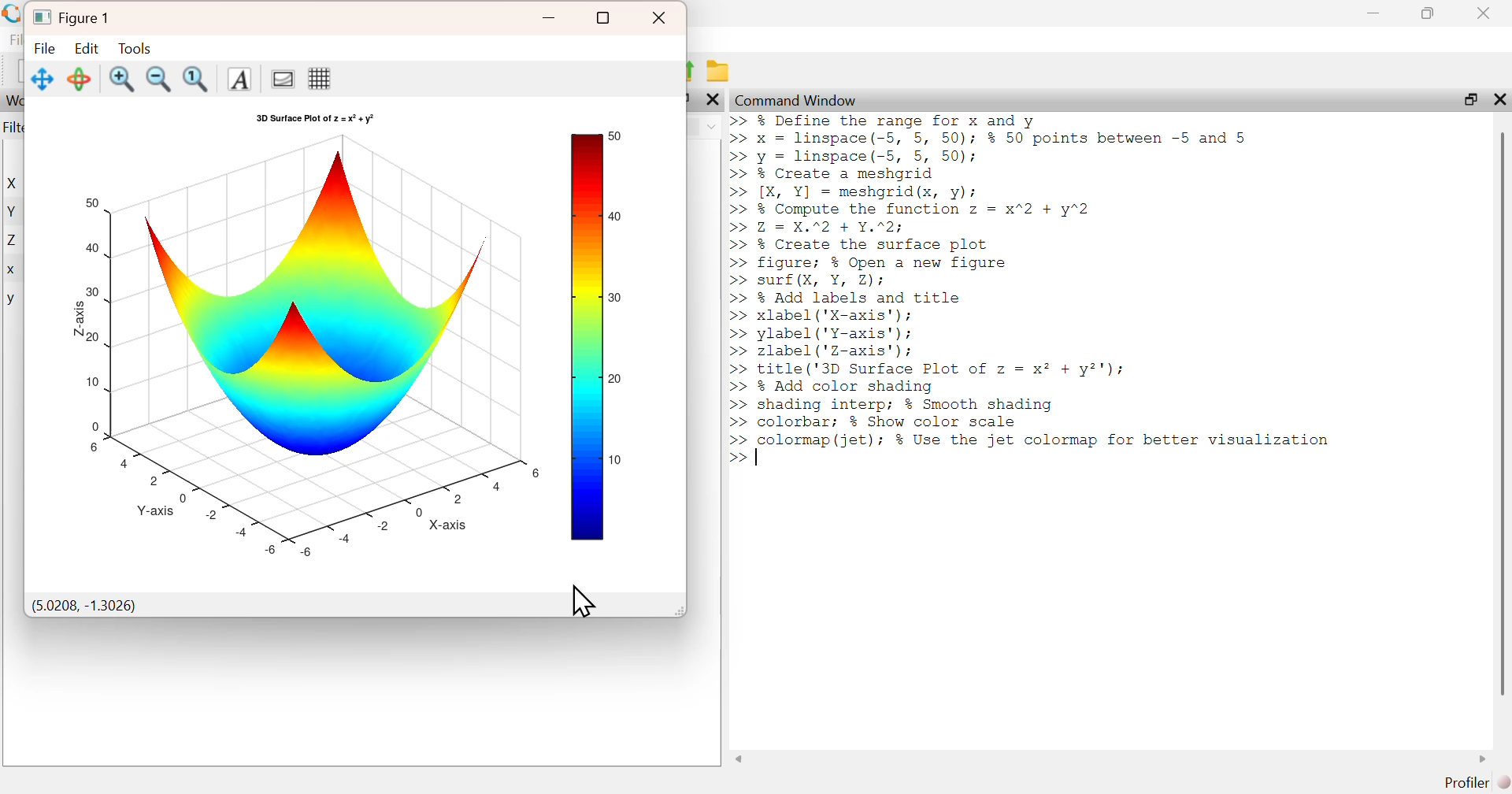 The height and width of the screenshot is (794, 1512). I want to click on >> % Define the range for x and y

>> x = linspace(-5, 5, 50); % 50 points between -5 and 5
>> y = linspace(-5, 5, 50);

>> % Create a meshgrid

>> [X, Y] = meshgrid(x, y):

>> % Compute the function z = x°2 + y"2

>> Z = X."2 + Y.82;

>> % Create the surface plot

>> figure; % Open a new figure

>> surf (X, ¥, 2);

>> % Add labels and title

>> xlabel ('X-axis');

>> ylabel ('Y-axis'):

>> zlabel ('Z-axis');

>> title('3D Surface Plot of z = x? + y2');

>> % Add color shading

>> shading interp; % Smooth shading

>> colorbar; % Show color scale

>> colormap (jet); % Use the jet colormap for better visualization
>>, so click(1036, 289).